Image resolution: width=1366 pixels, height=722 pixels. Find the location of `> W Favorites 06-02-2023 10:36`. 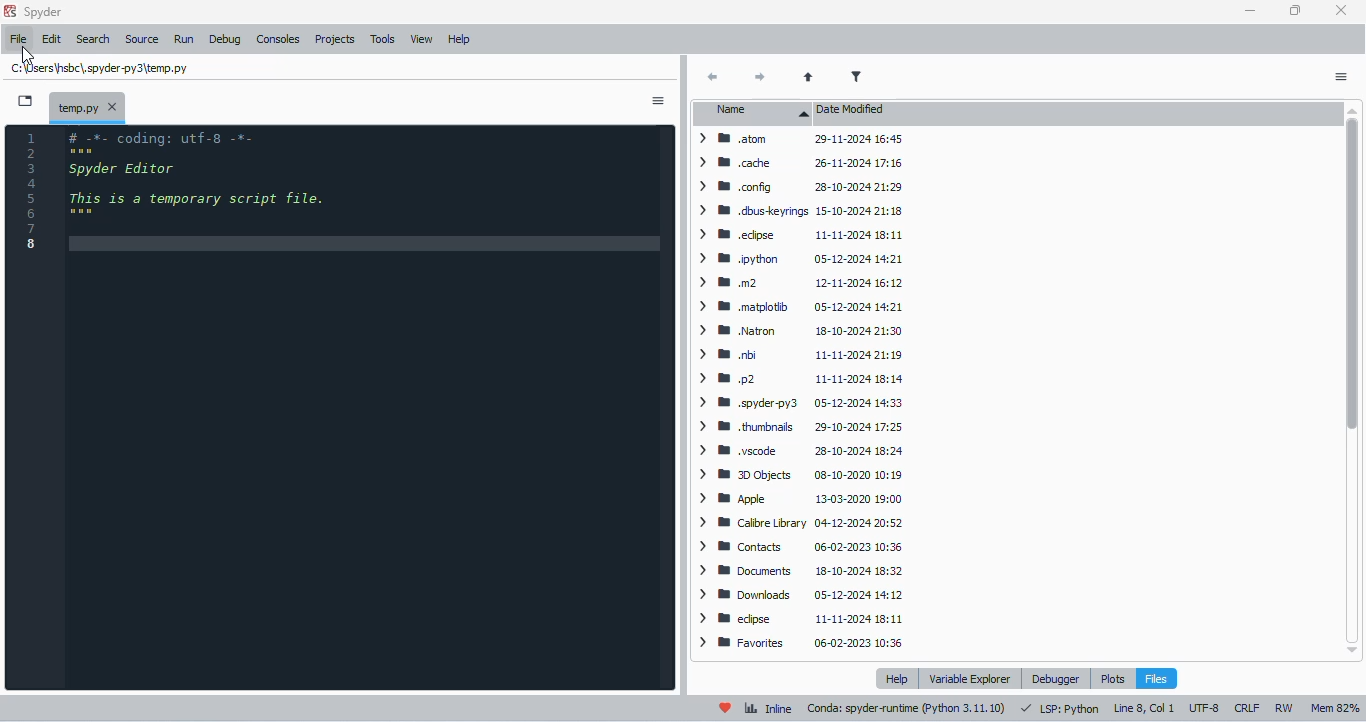

> W Favorites 06-02-2023 10:36 is located at coordinates (801, 644).